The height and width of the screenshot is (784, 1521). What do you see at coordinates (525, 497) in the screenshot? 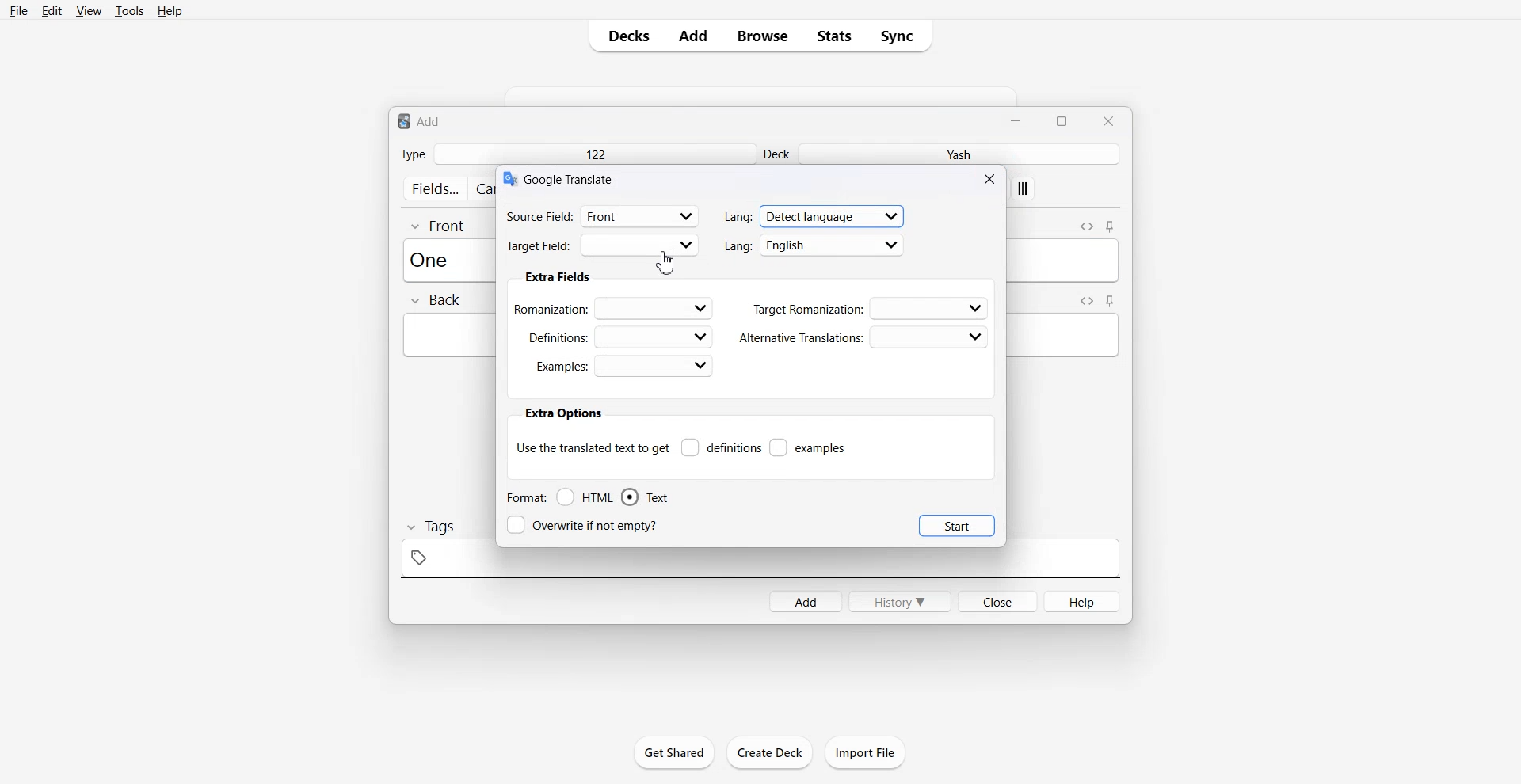
I see `Format` at bounding box center [525, 497].